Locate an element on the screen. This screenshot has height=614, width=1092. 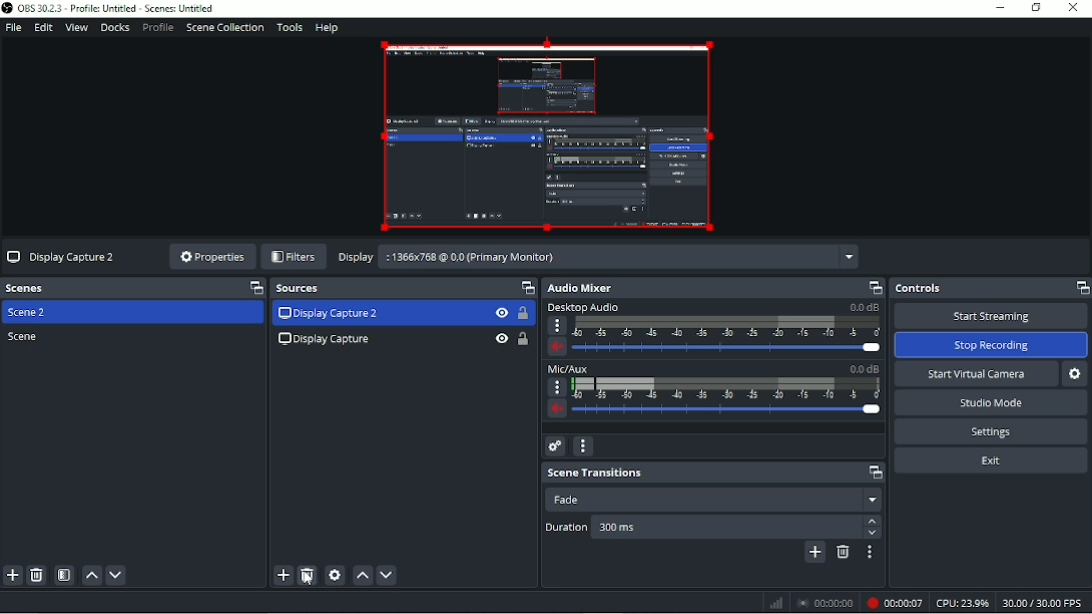
View is located at coordinates (500, 335).